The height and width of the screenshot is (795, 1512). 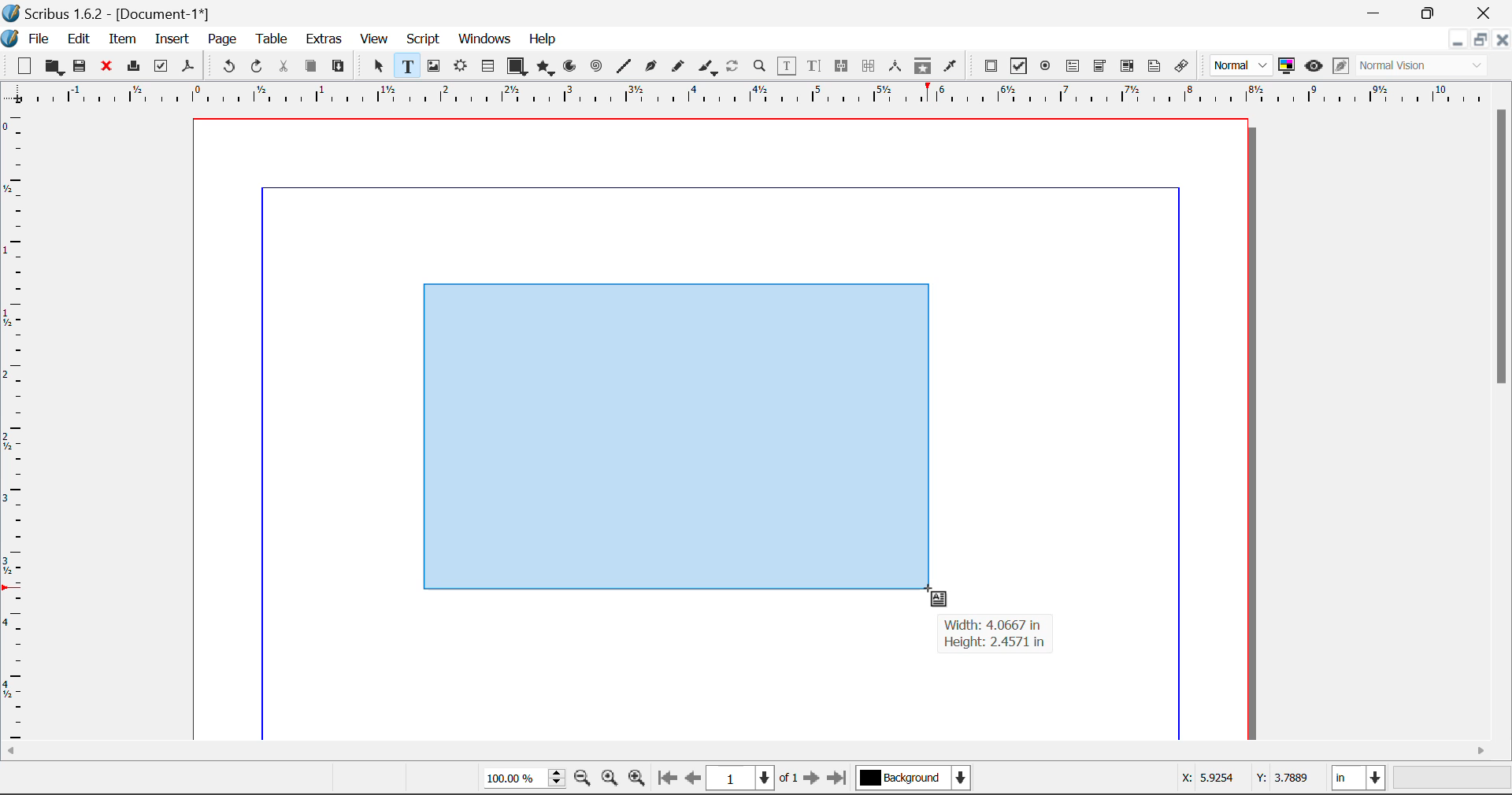 I want to click on Redo, so click(x=260, y=67).